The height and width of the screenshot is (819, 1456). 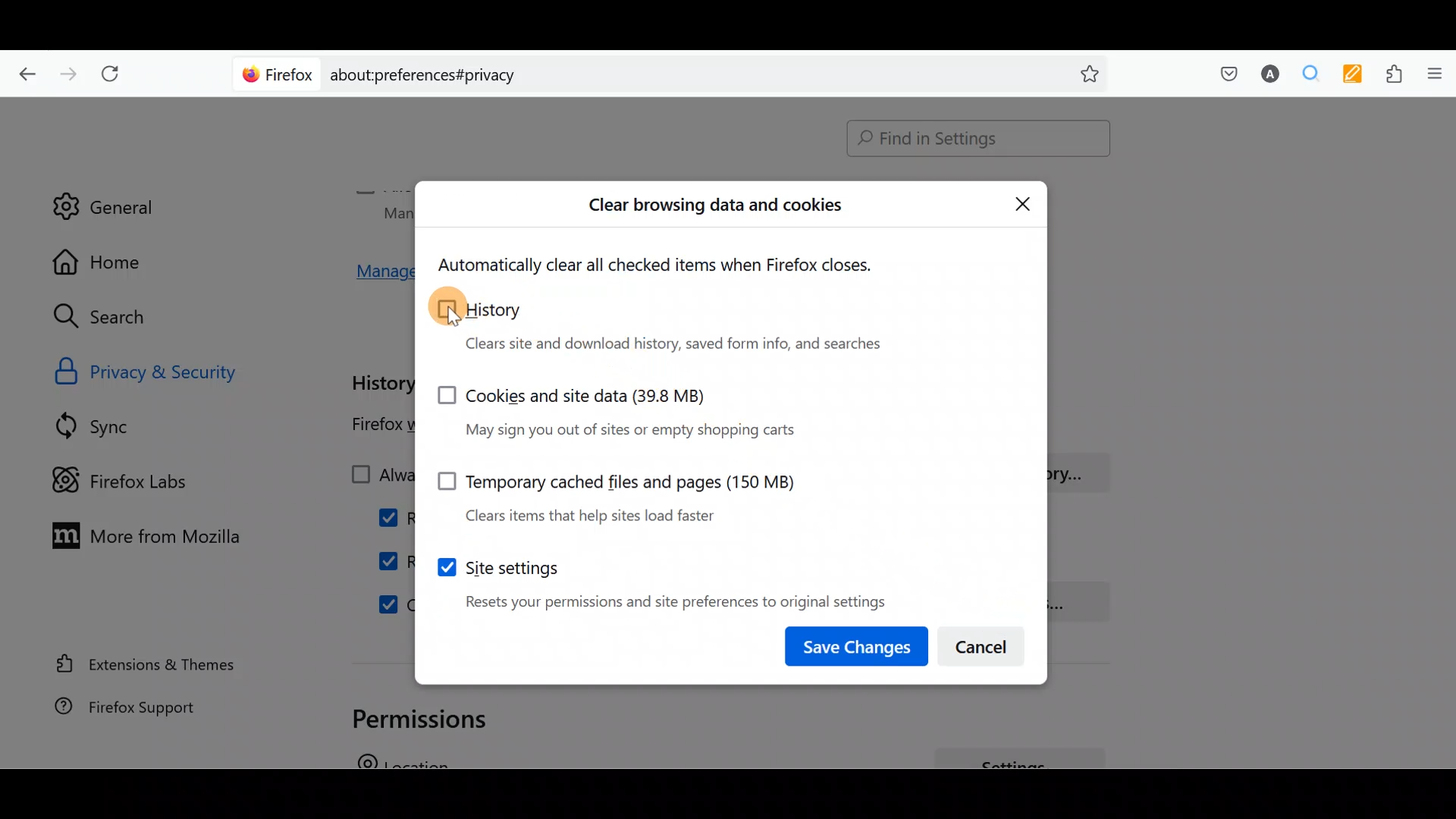 What do you see at coordinates (115, 317) in the screenshot?
I see `Search icon` at bounding box center [115, 317].